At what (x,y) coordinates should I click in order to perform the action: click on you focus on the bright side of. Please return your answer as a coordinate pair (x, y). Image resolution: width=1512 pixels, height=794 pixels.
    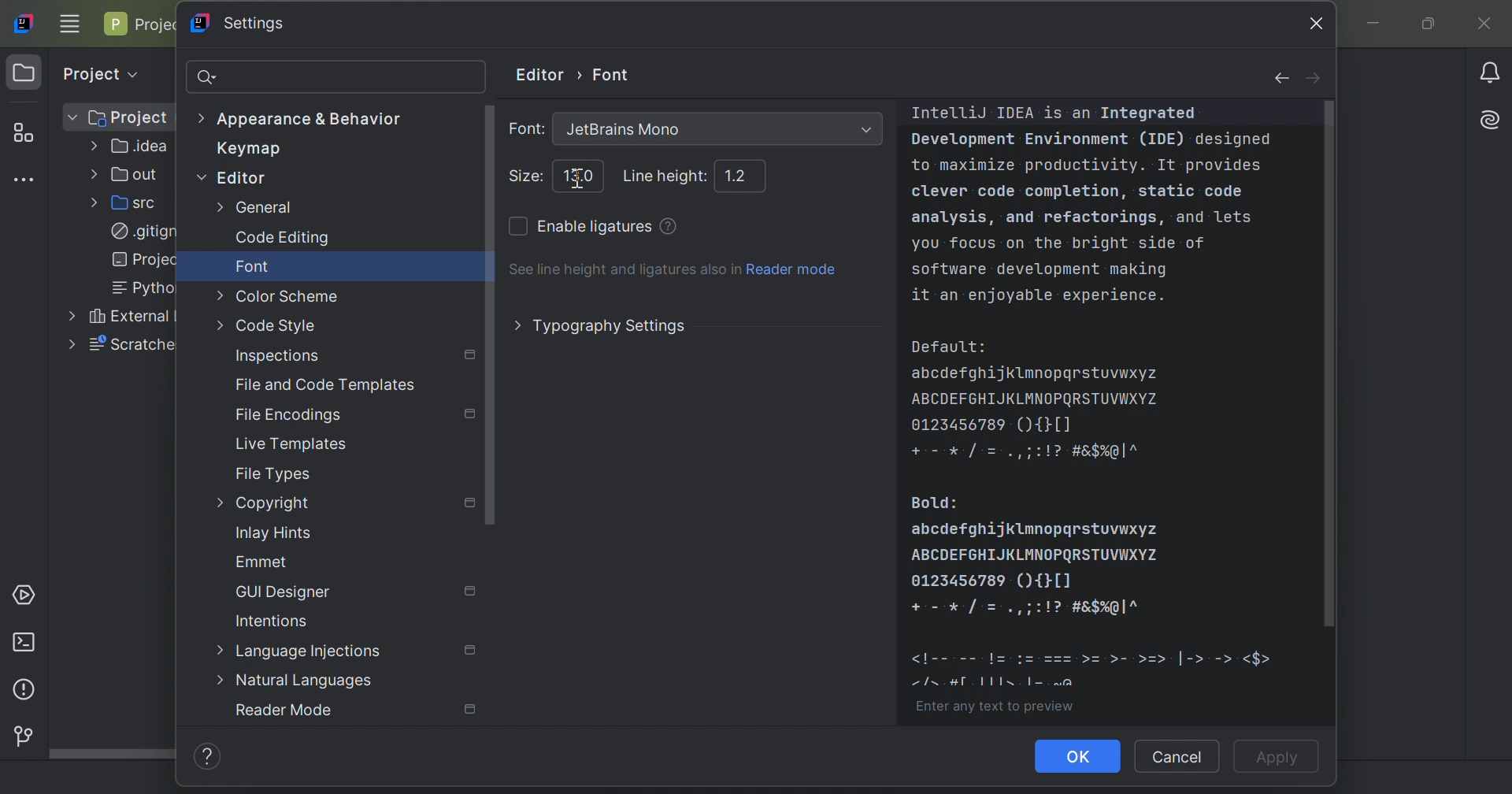
    Looking at the image, I should click on (1058, 243).